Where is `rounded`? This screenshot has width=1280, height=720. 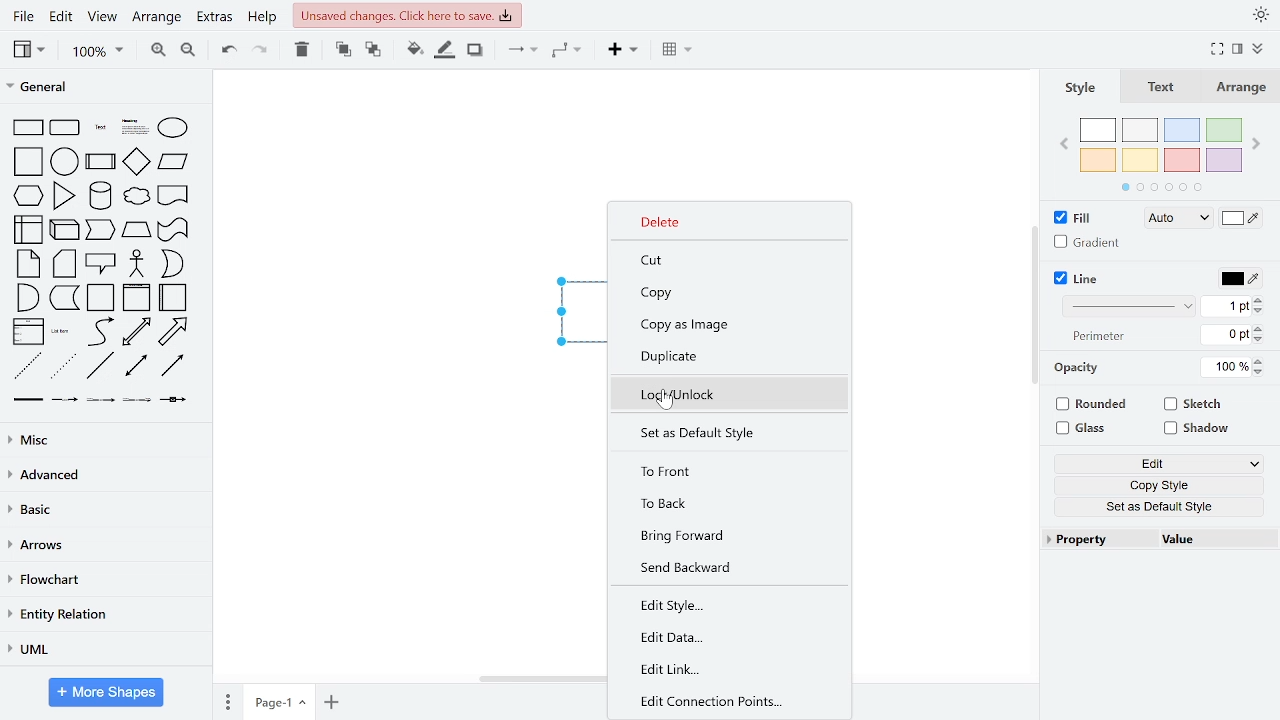
rounded is located at coordinates (1091, 404).